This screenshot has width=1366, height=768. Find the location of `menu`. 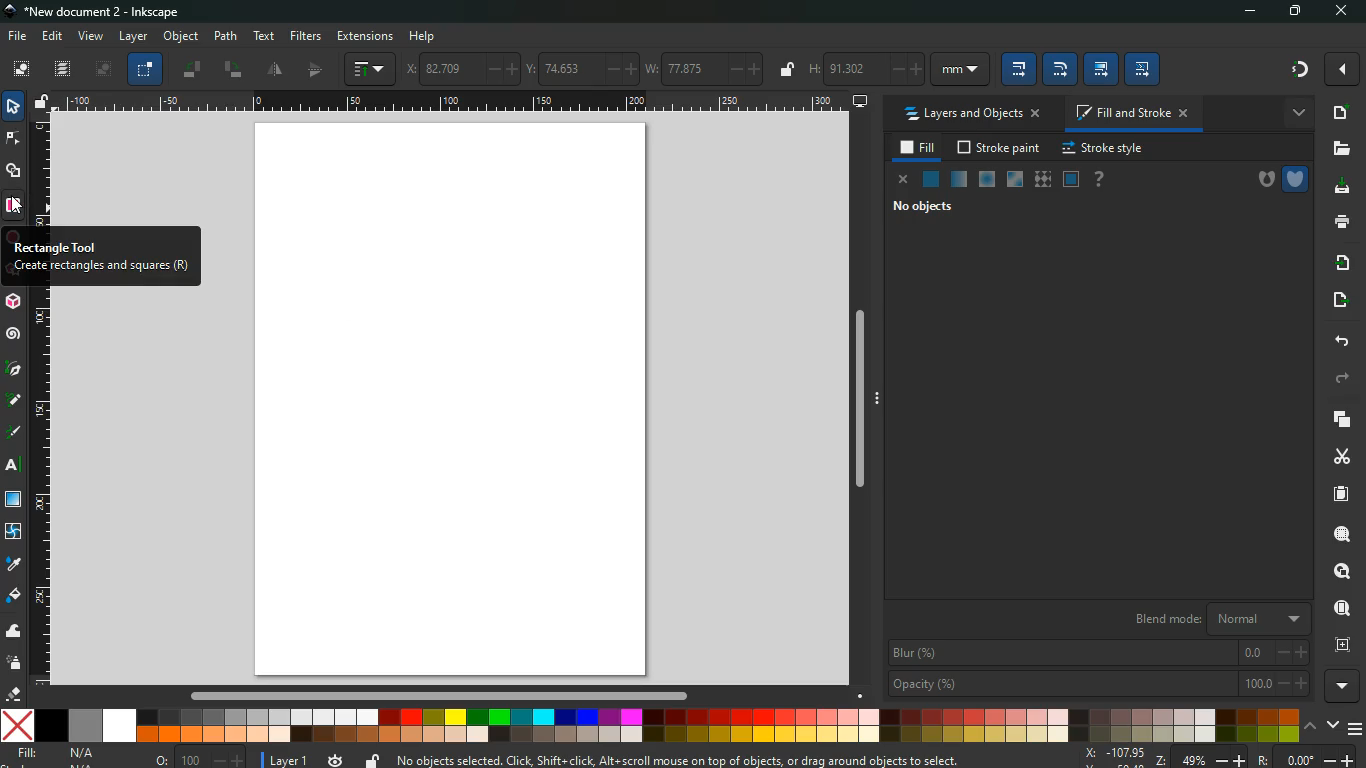

menu is located at coordinates (1356, 729).